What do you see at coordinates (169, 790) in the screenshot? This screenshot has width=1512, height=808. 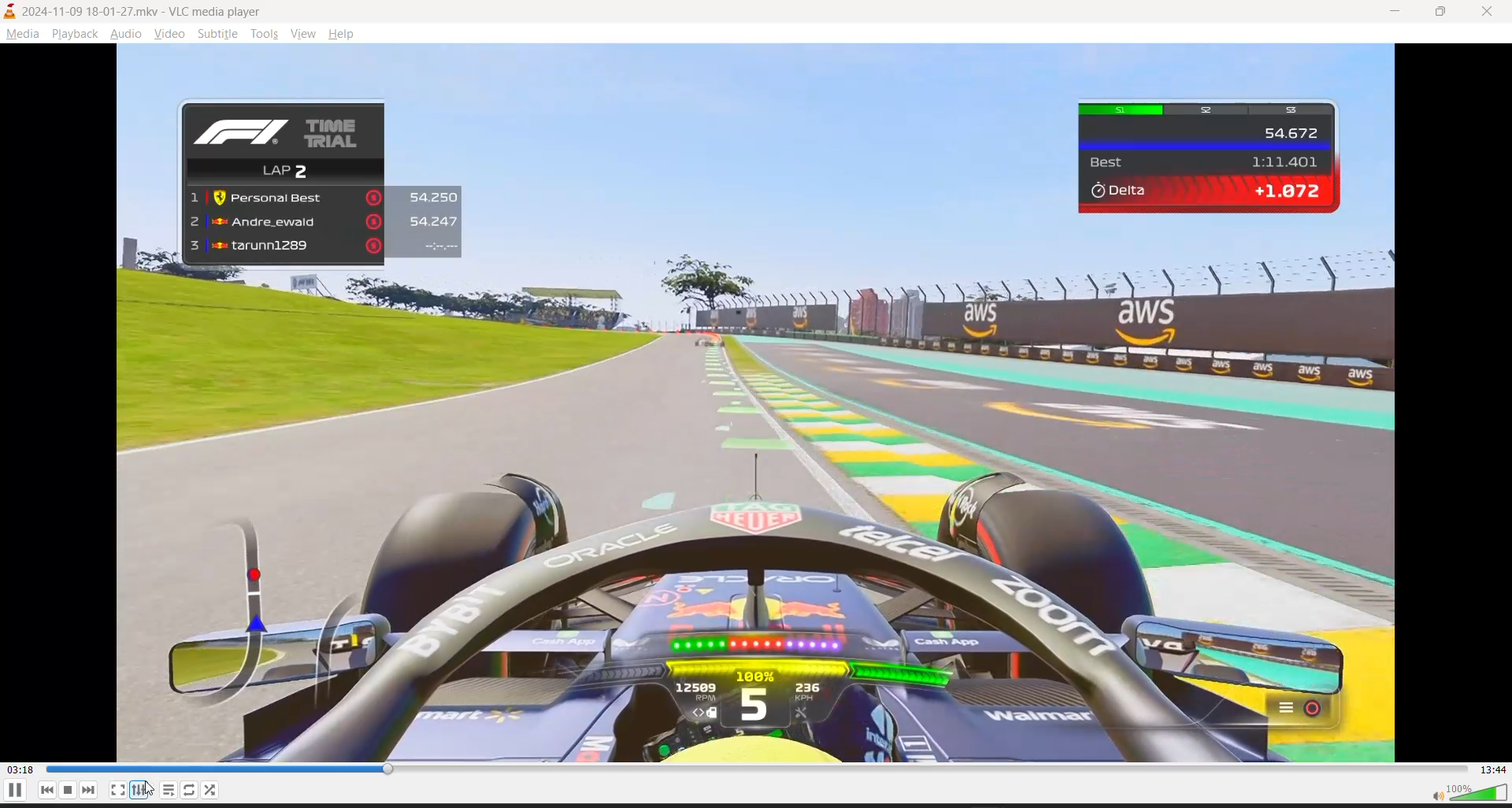 I see `playlist` at bounding box center [169, 790].